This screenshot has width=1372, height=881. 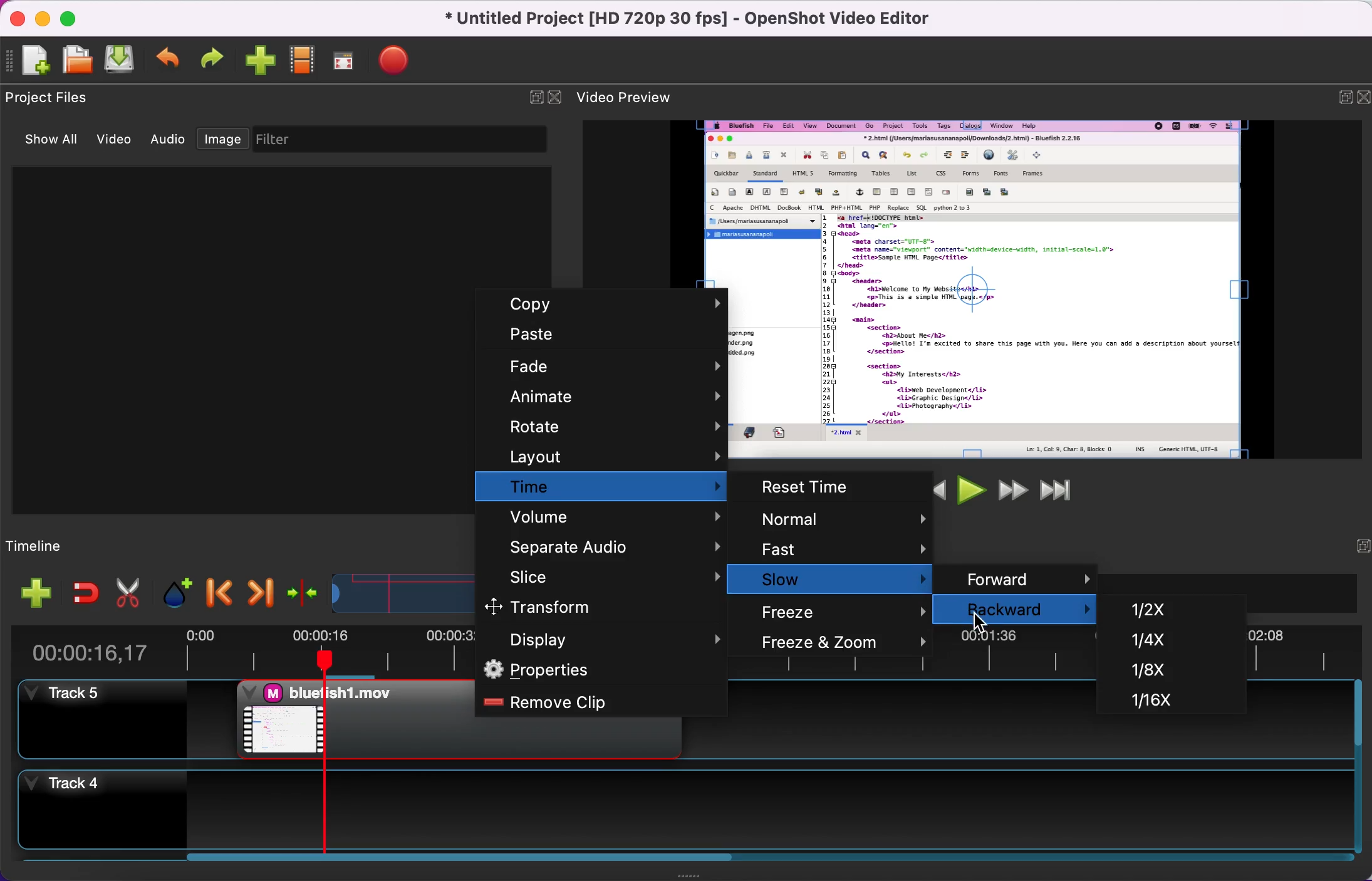 What do you see at coordinates (1009, 489) in the screenshot?
I see `fast forward` at bounding box center [1009, 489].